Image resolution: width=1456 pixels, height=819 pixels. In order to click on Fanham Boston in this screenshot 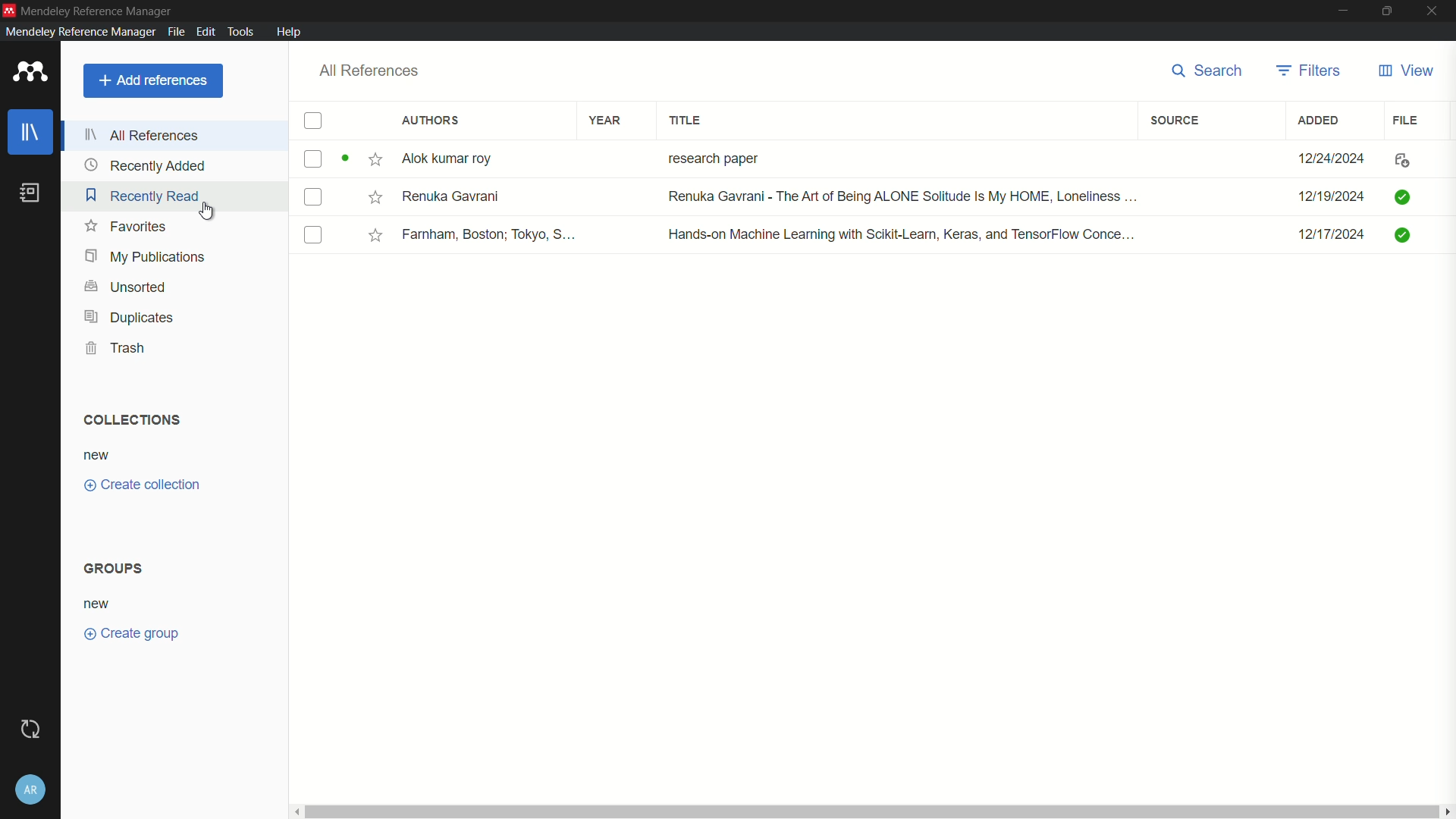, I will do `click(489, 233)`.